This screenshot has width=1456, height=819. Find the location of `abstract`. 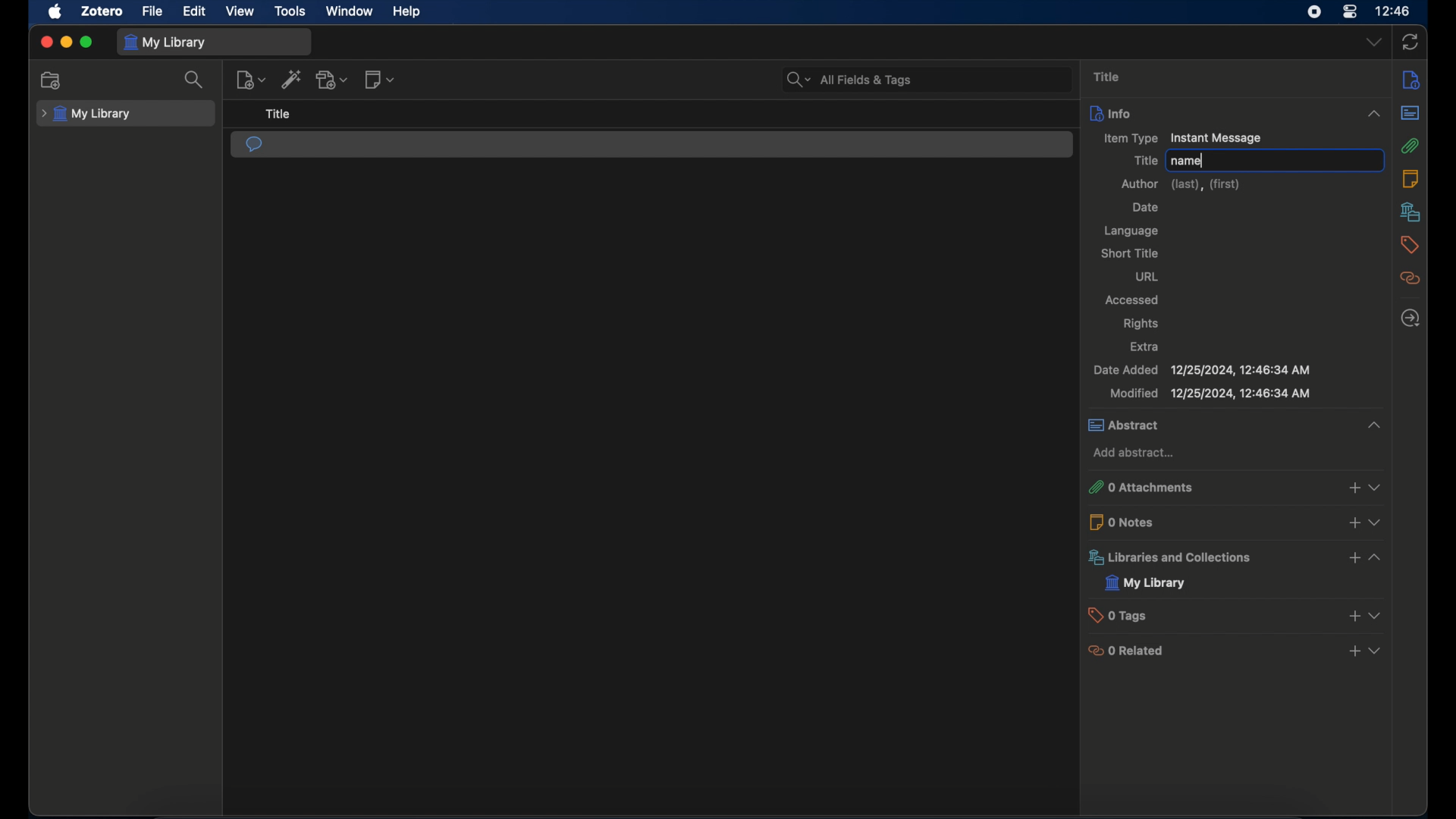

abstract is located at coordinates (1234, 425).